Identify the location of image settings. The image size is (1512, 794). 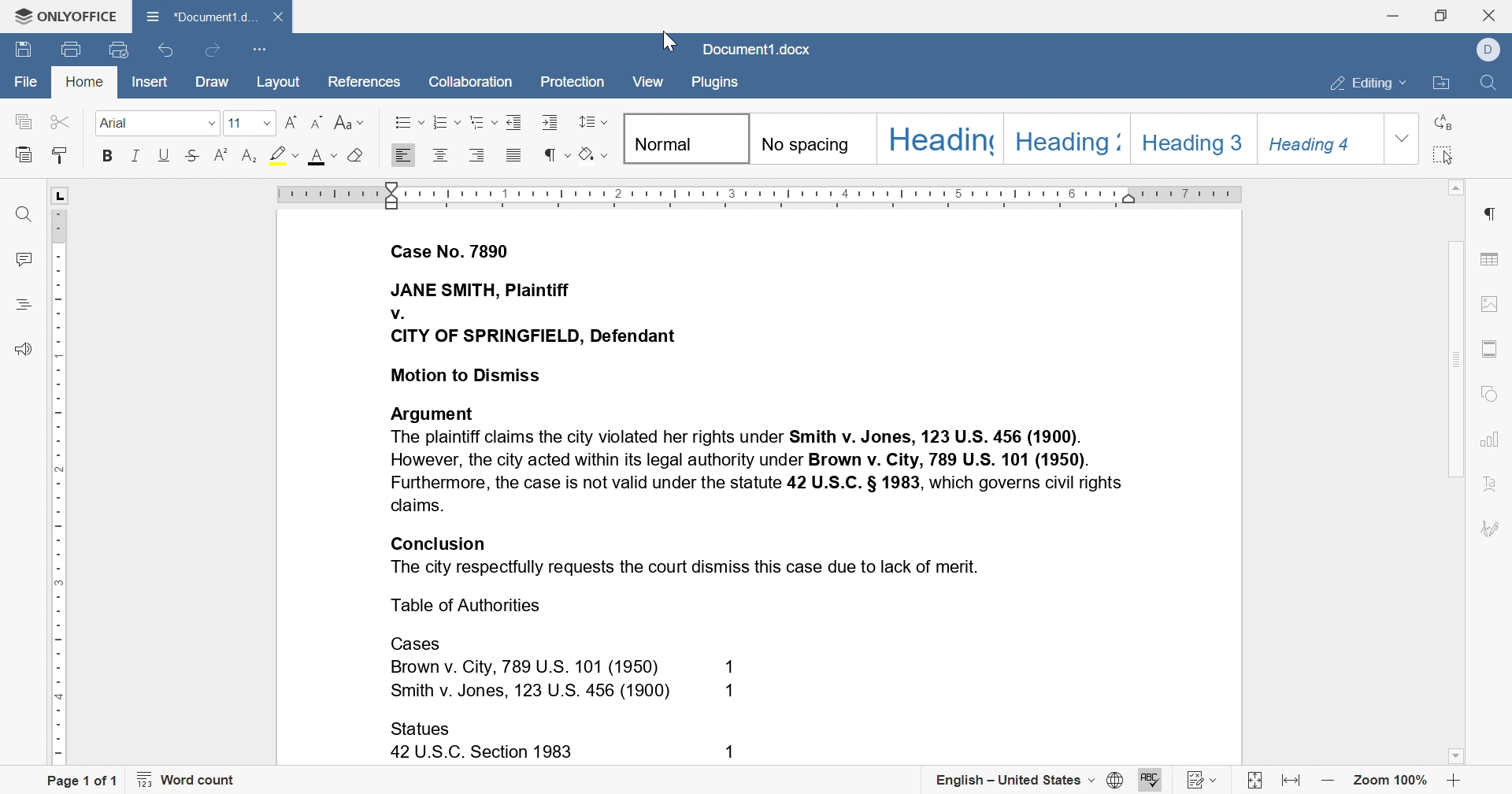
(1488, 304).